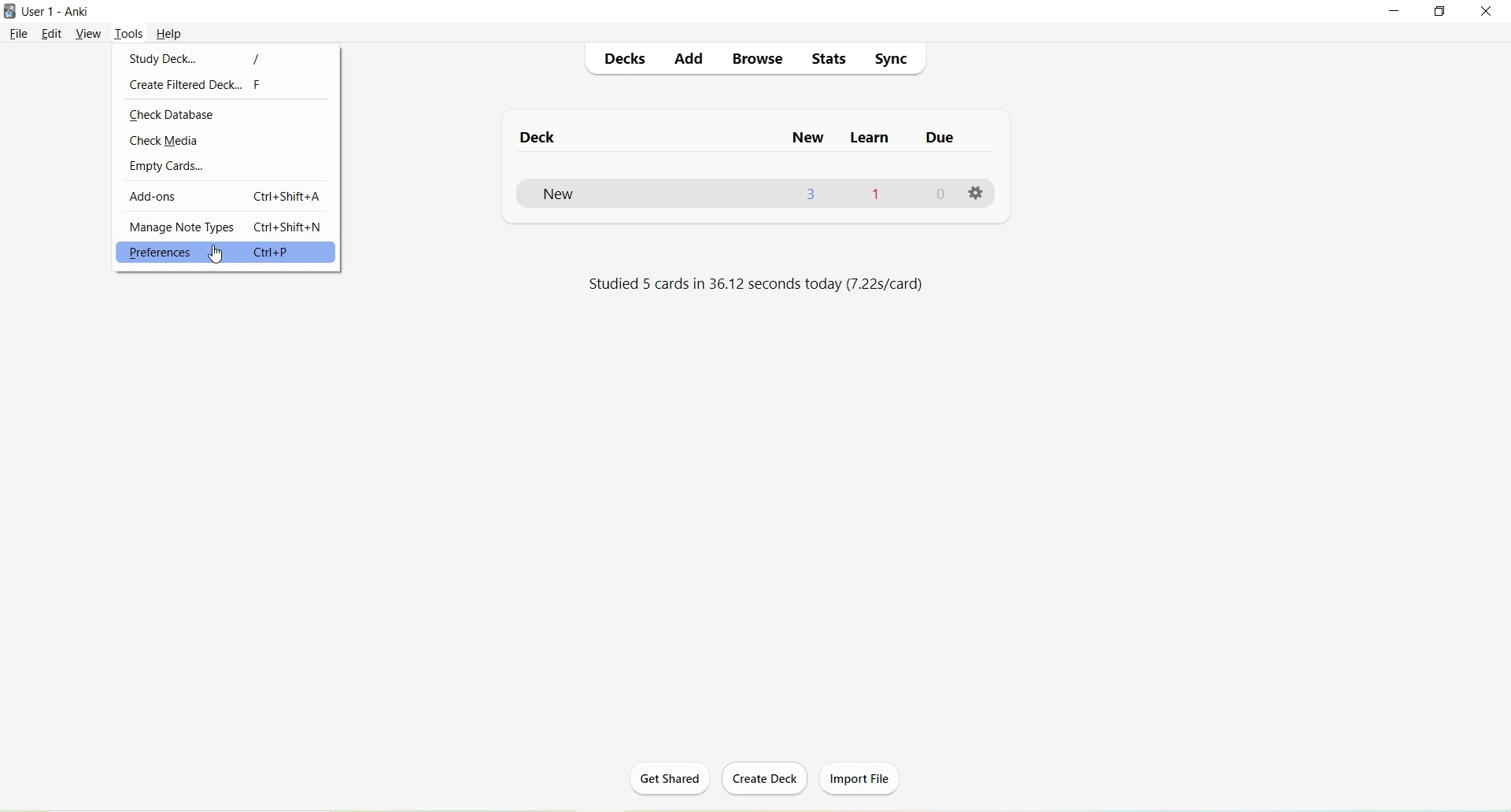 The height and width of the screenshot is (812, 1511). Describe the element at coordinates (161, 58) in the screenshot. I see `Study Deck..` at that location.